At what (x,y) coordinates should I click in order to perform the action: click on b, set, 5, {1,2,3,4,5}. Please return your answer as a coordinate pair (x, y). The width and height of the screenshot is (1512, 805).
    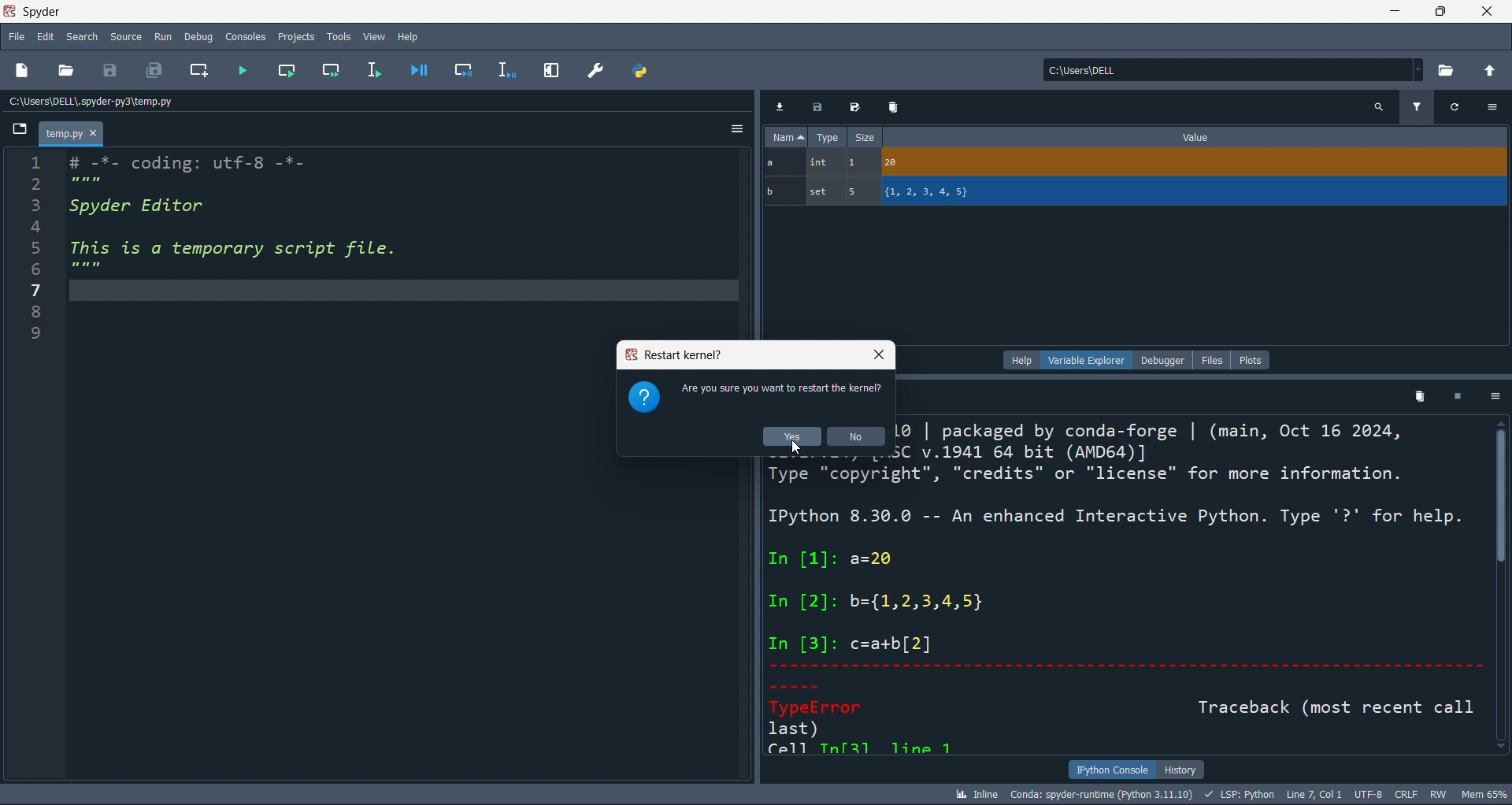
    Looking at the image, I should click on (1135, 194).